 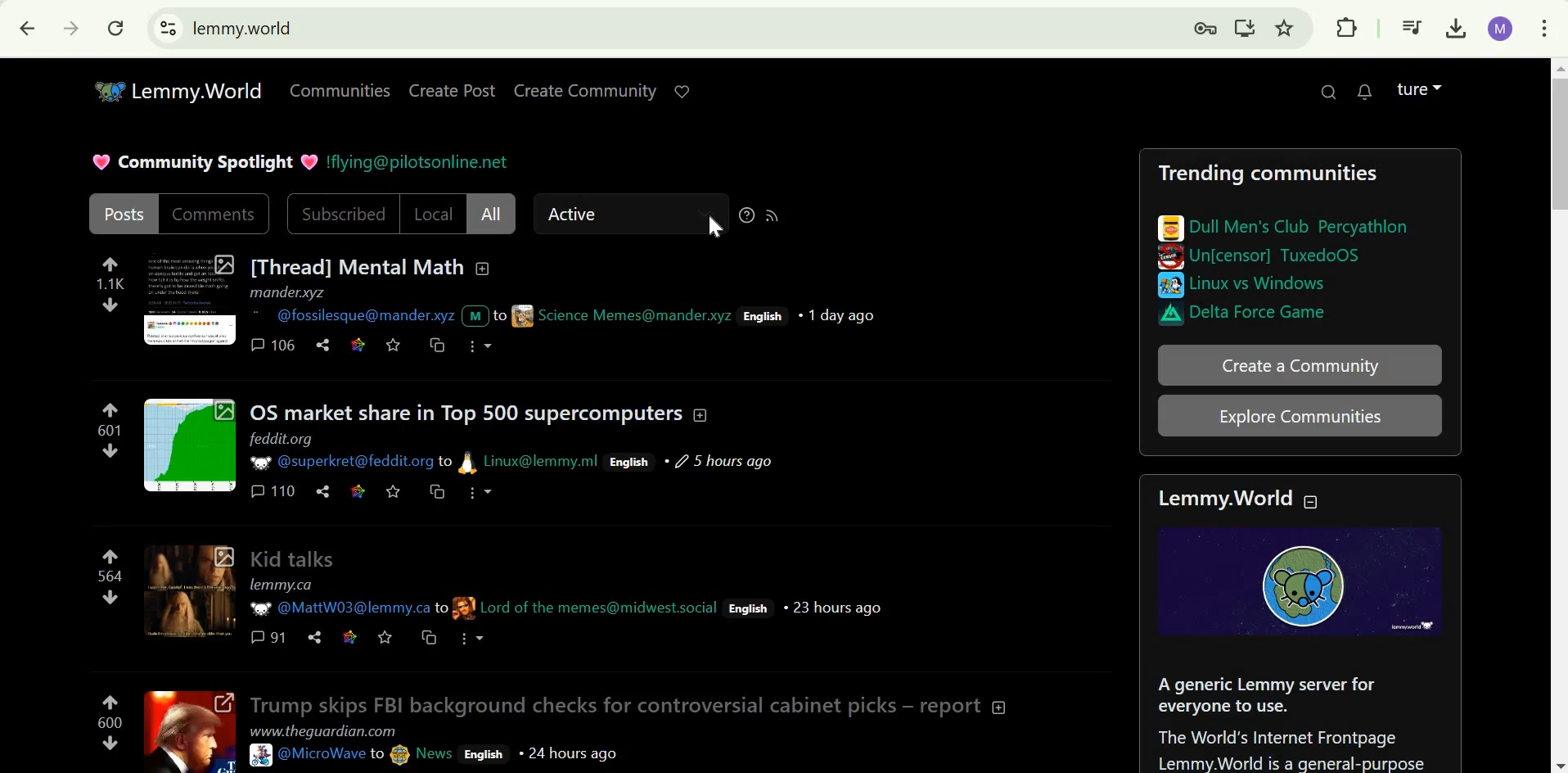 What do you see at coordinates (437, 346) in the screenshot?
I see `cross-post` at bounding box center [437, 346].